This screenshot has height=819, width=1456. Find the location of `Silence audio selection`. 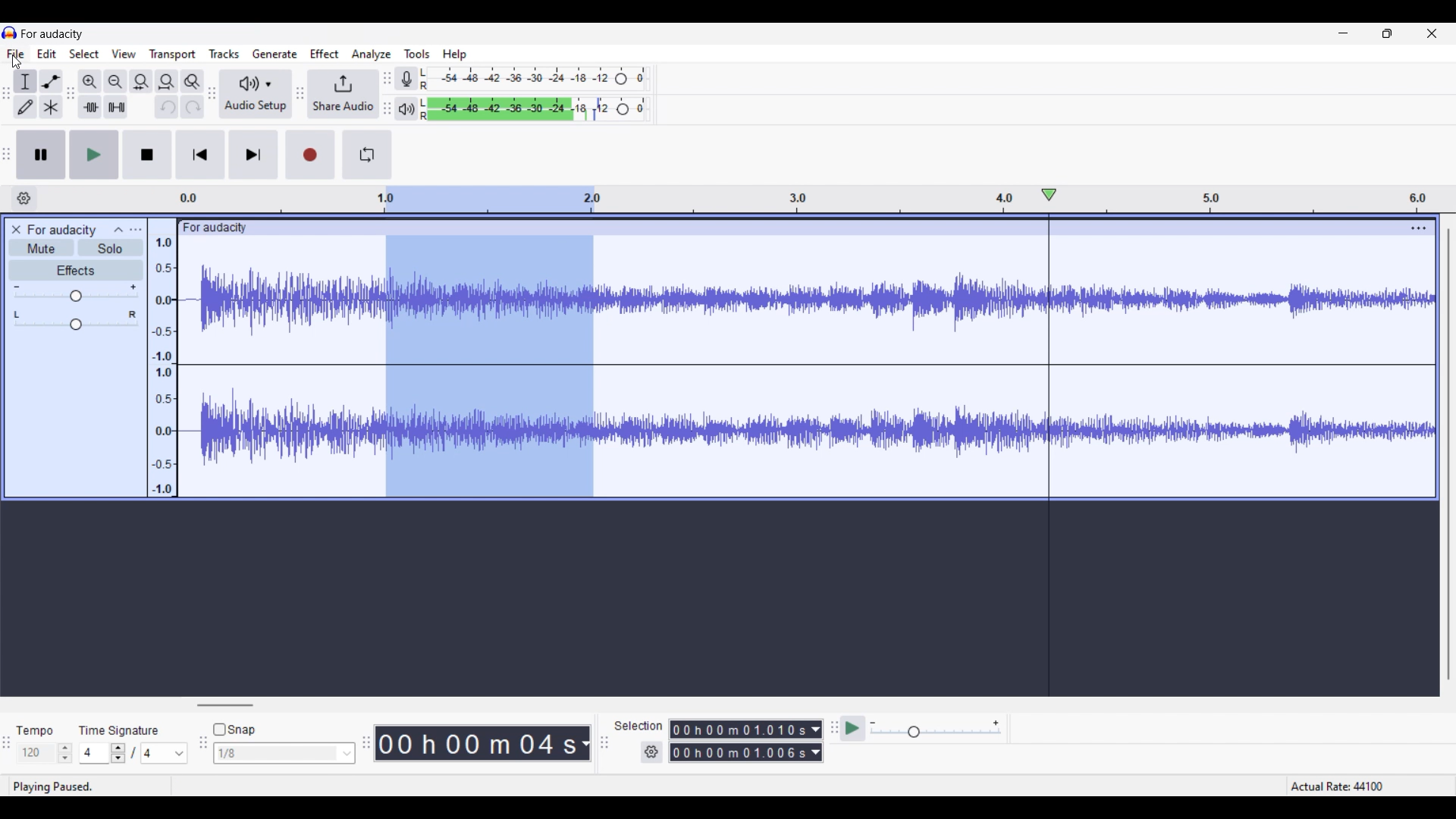

Silence audio selection is located at coordinates (116, 107).